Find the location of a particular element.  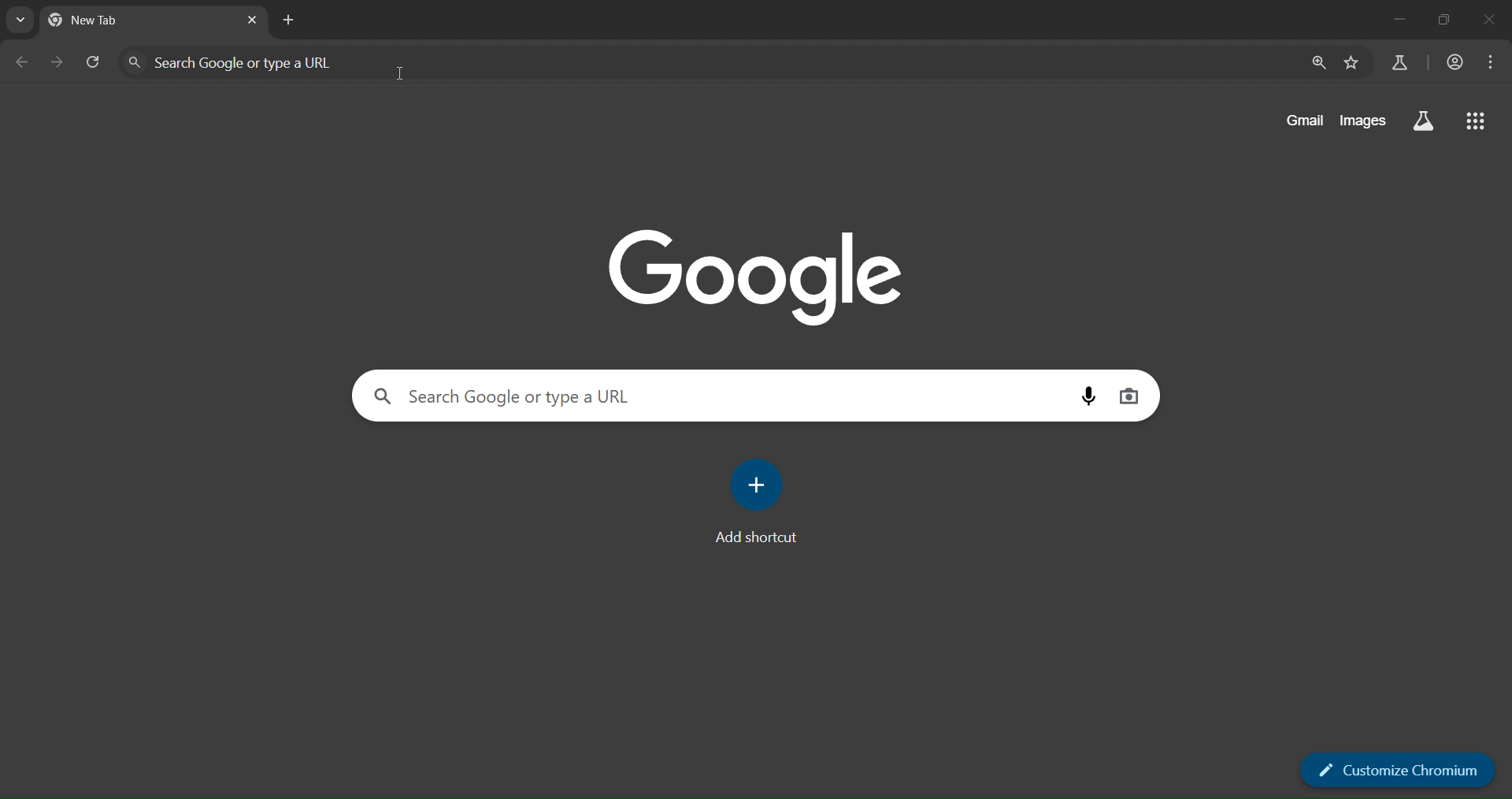

go forward one page is located at coordinates (57, 64).